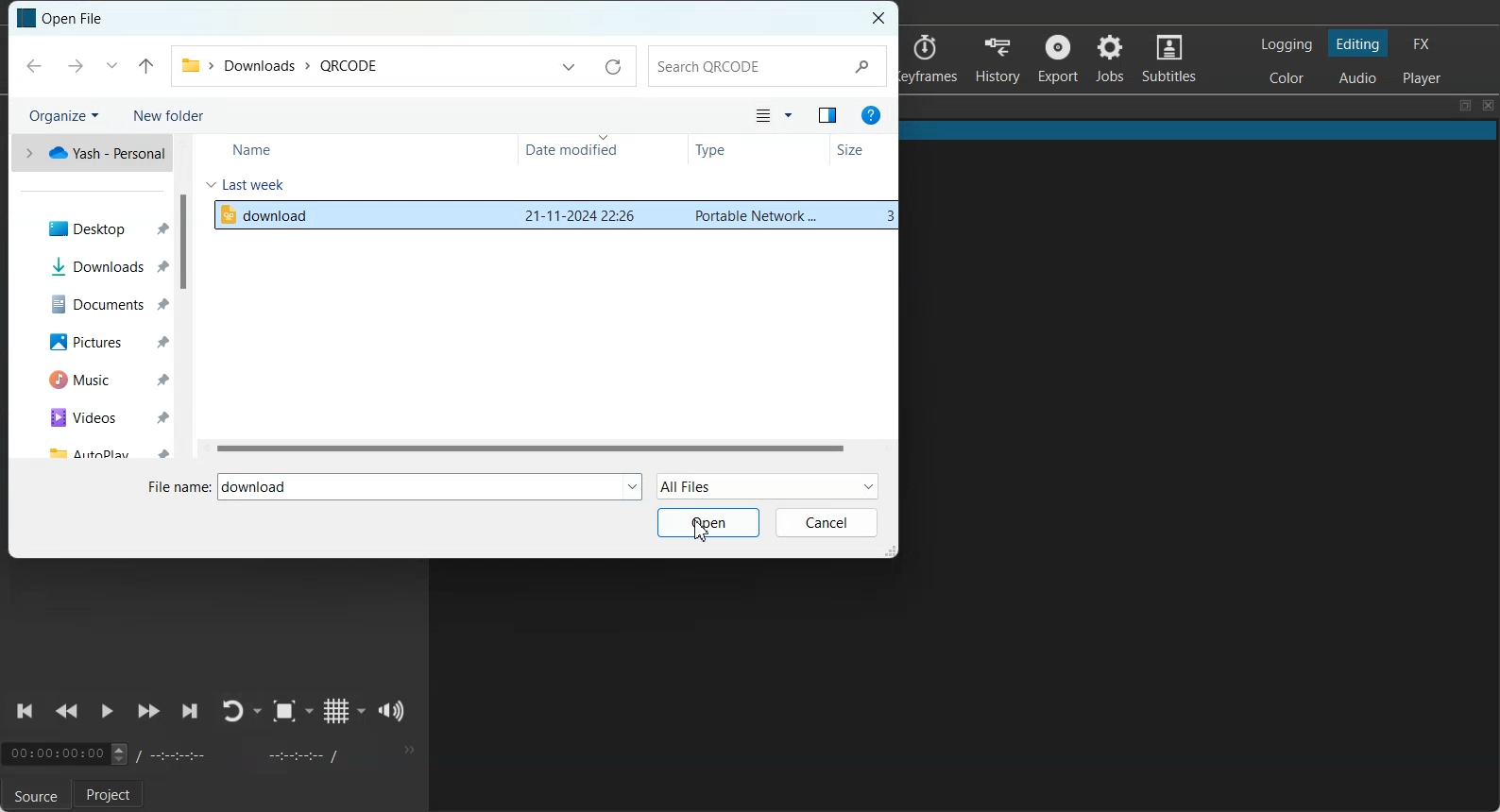  What do you see at coordinates (532, 448) in the screenshot?
I see `Horizontal Scroll bar` at bounding box center [532, 448].